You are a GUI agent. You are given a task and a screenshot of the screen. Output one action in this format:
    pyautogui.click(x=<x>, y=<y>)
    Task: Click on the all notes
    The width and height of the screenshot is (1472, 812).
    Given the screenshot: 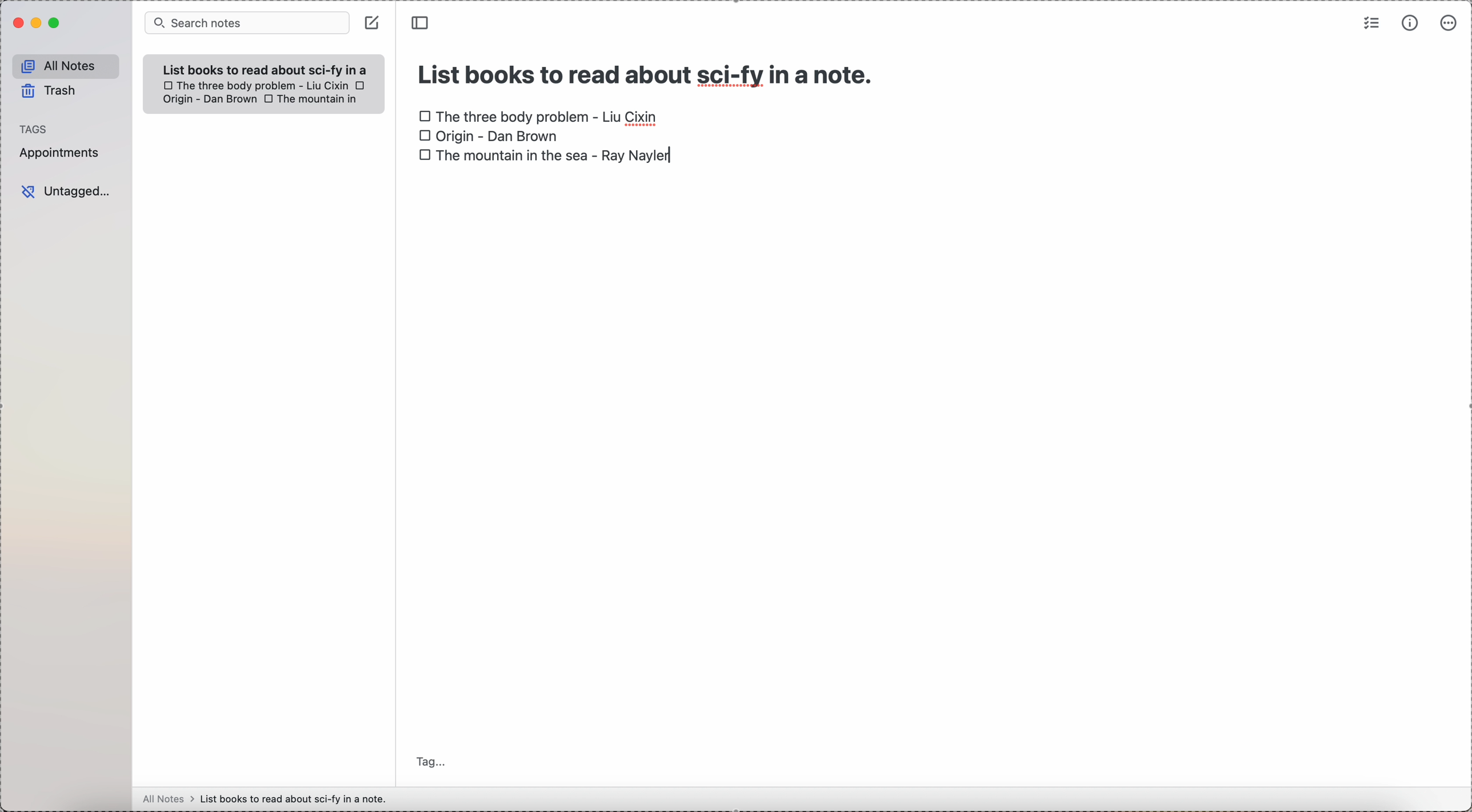 What is the action you would take?
    pyautogui.click(x=63, y=64)
    